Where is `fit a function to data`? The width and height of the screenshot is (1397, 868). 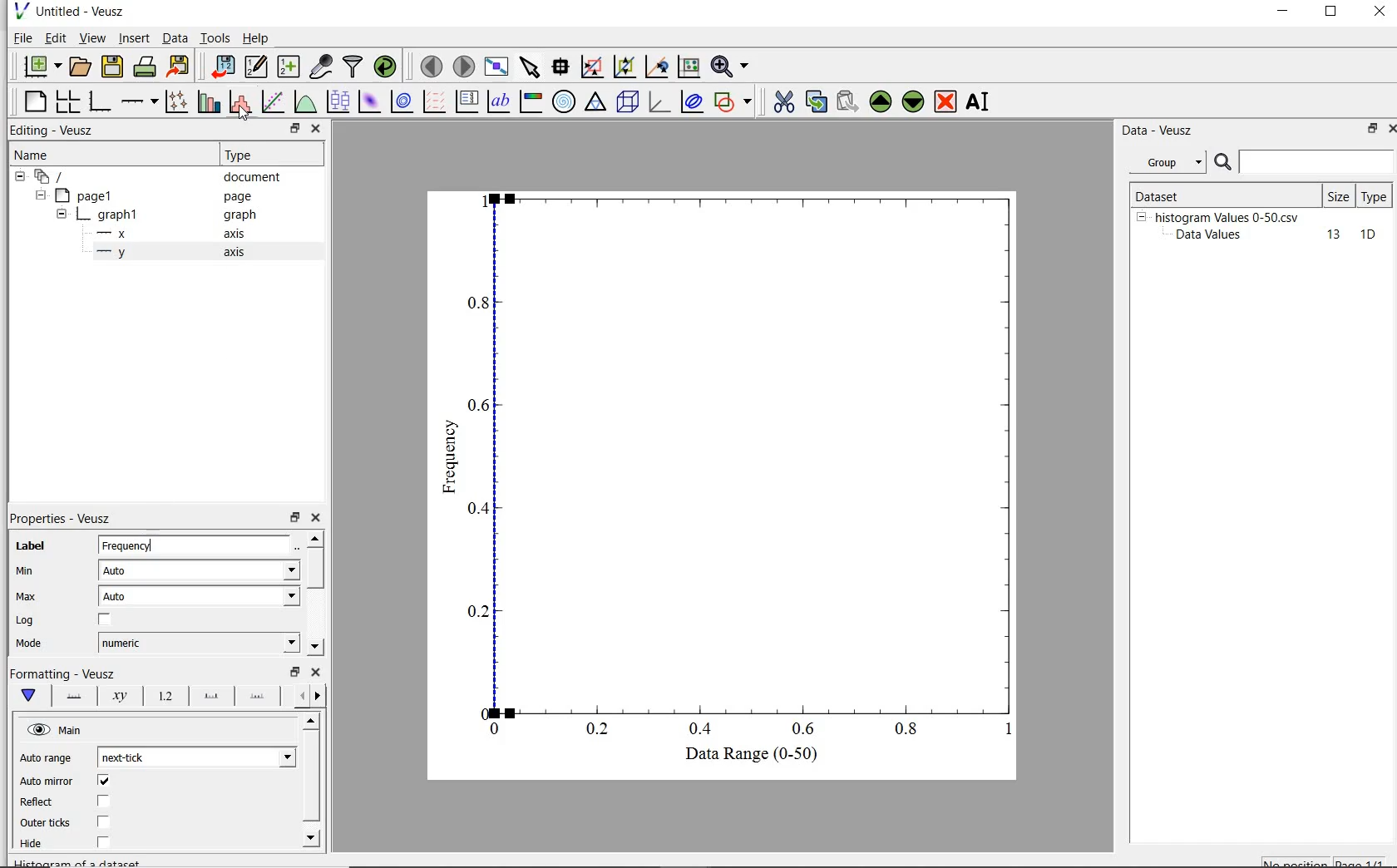 fit a function to data is located at coordinates (274, 101).